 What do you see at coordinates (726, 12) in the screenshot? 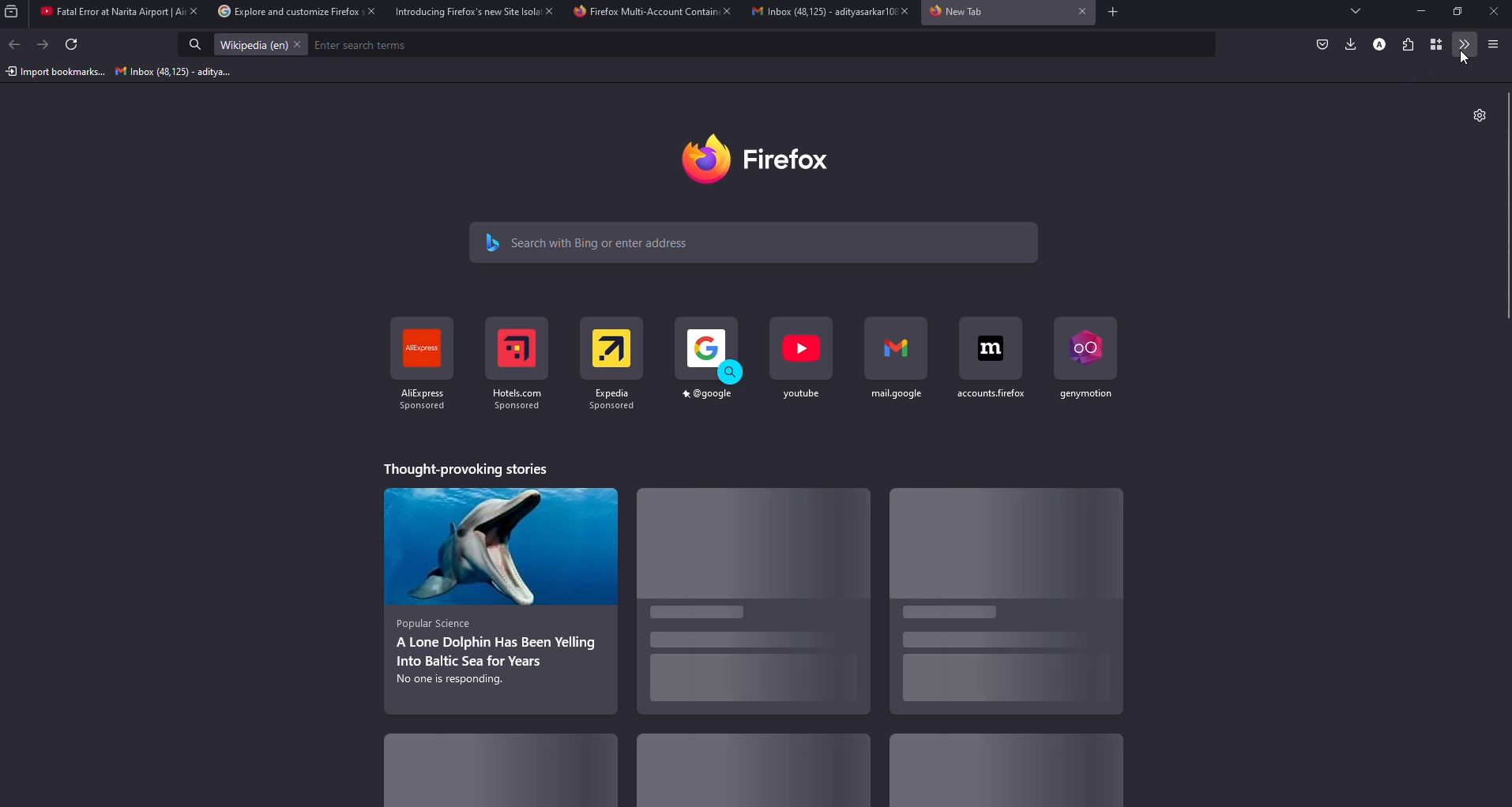
I see `close` at bounding box center [726, 12].